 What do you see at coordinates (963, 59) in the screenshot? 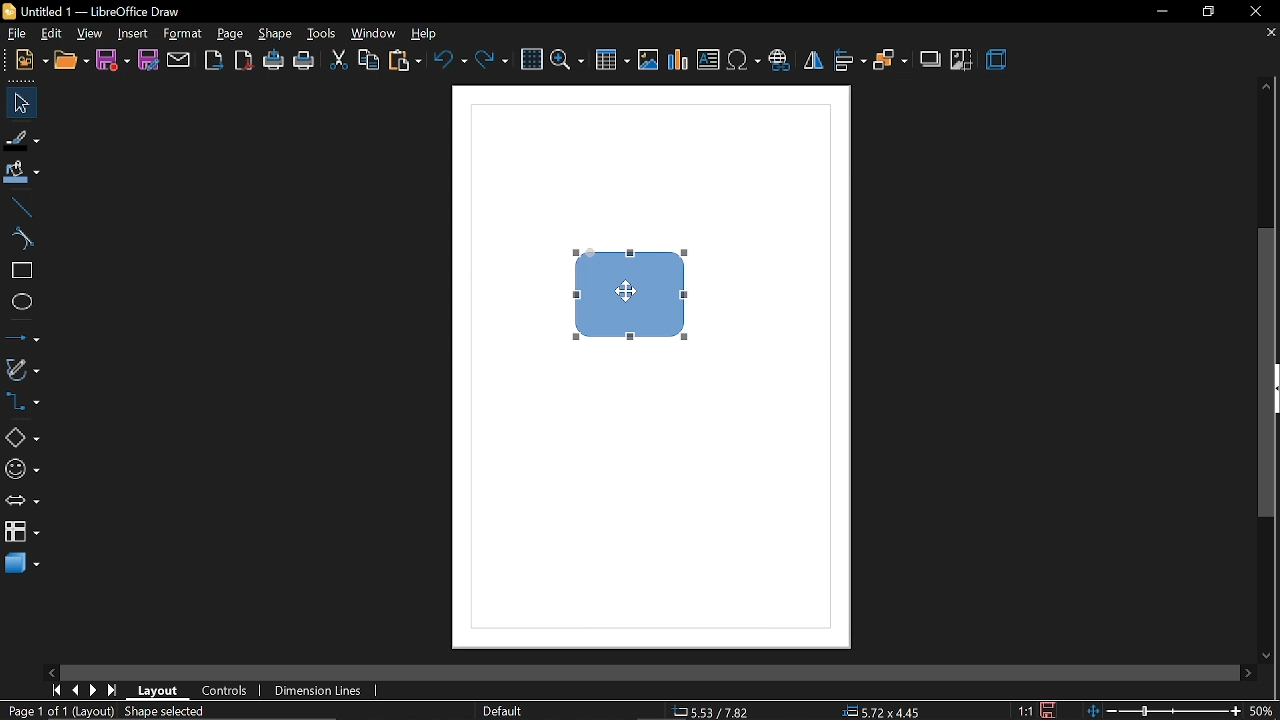
I see `crop` at bounding box center [963, 59].